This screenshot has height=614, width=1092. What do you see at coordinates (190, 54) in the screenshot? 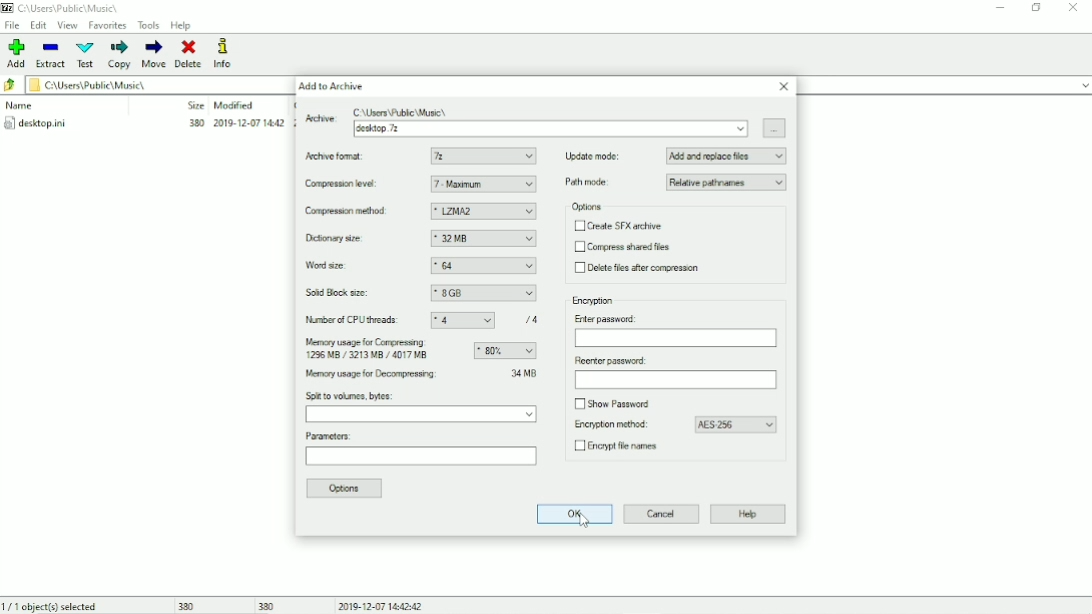
I see `Delete ` at bounding box center [190, 54].